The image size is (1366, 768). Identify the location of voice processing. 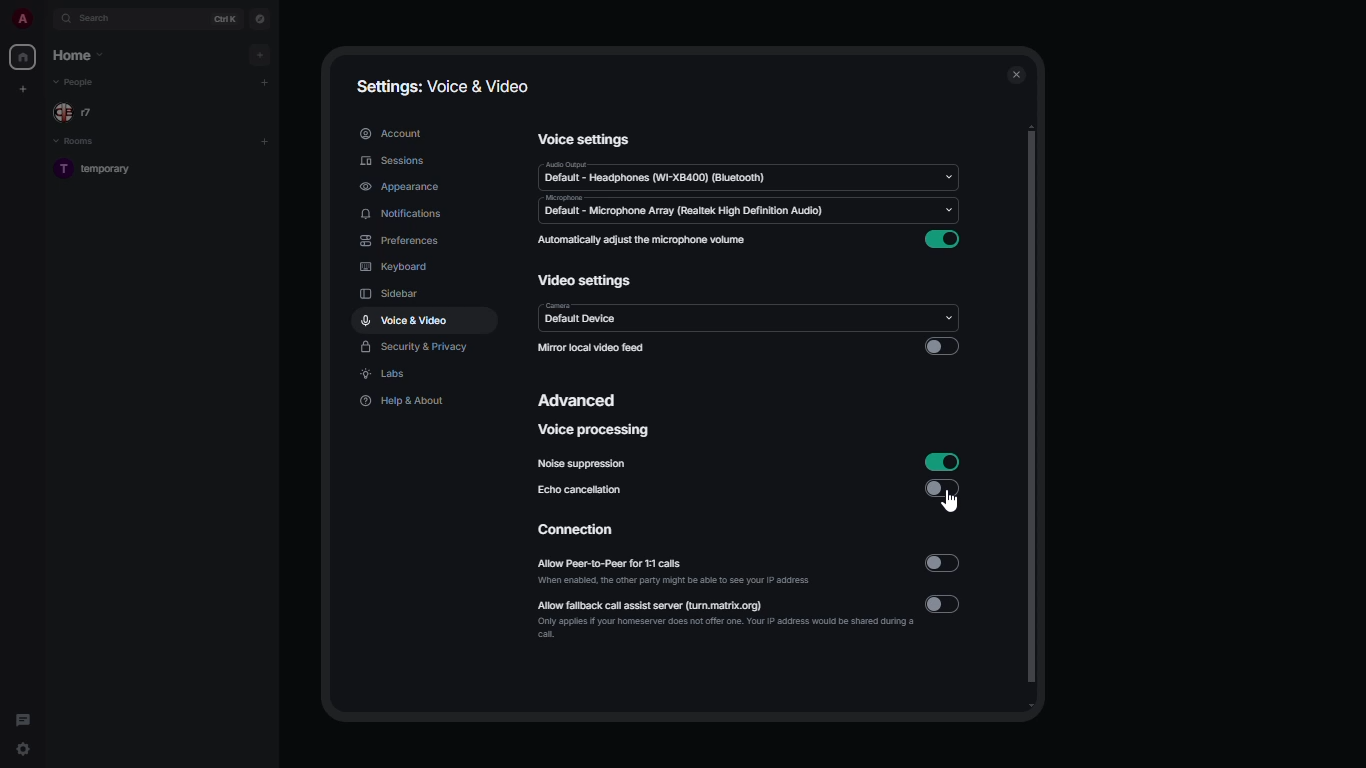
(593, 430).